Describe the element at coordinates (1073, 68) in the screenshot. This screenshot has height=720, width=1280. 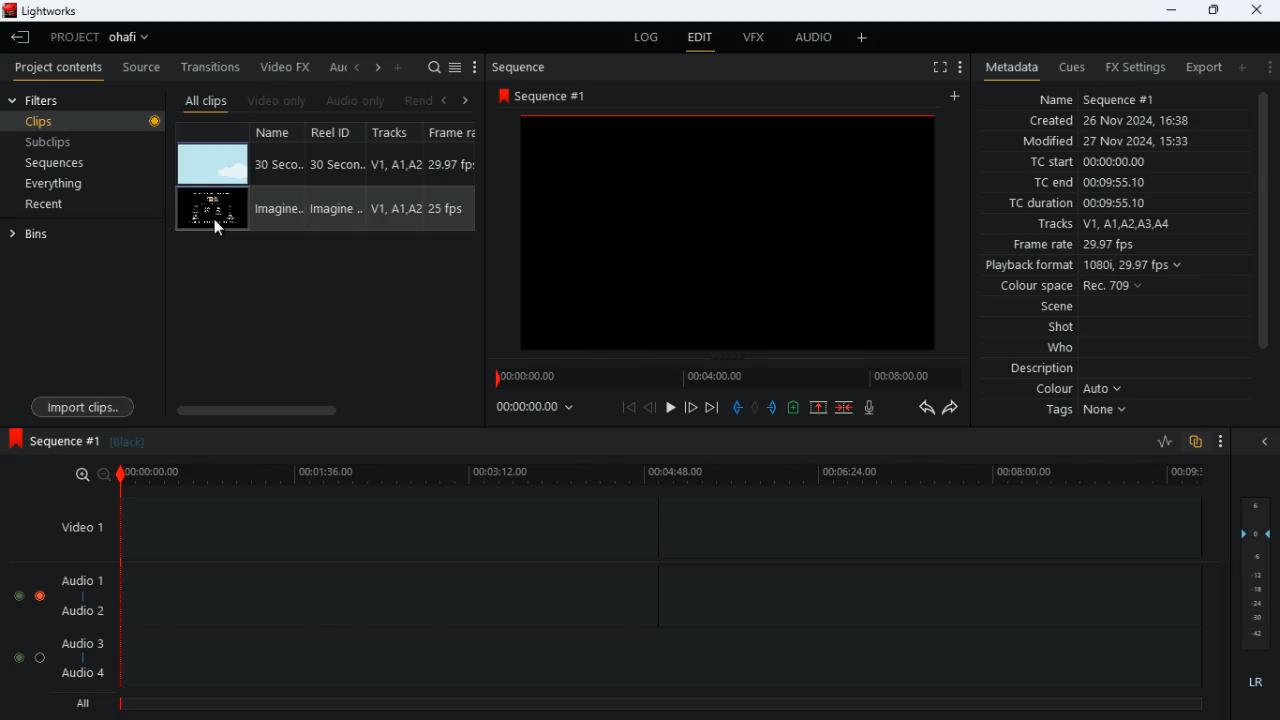
I see `cues` at that location.